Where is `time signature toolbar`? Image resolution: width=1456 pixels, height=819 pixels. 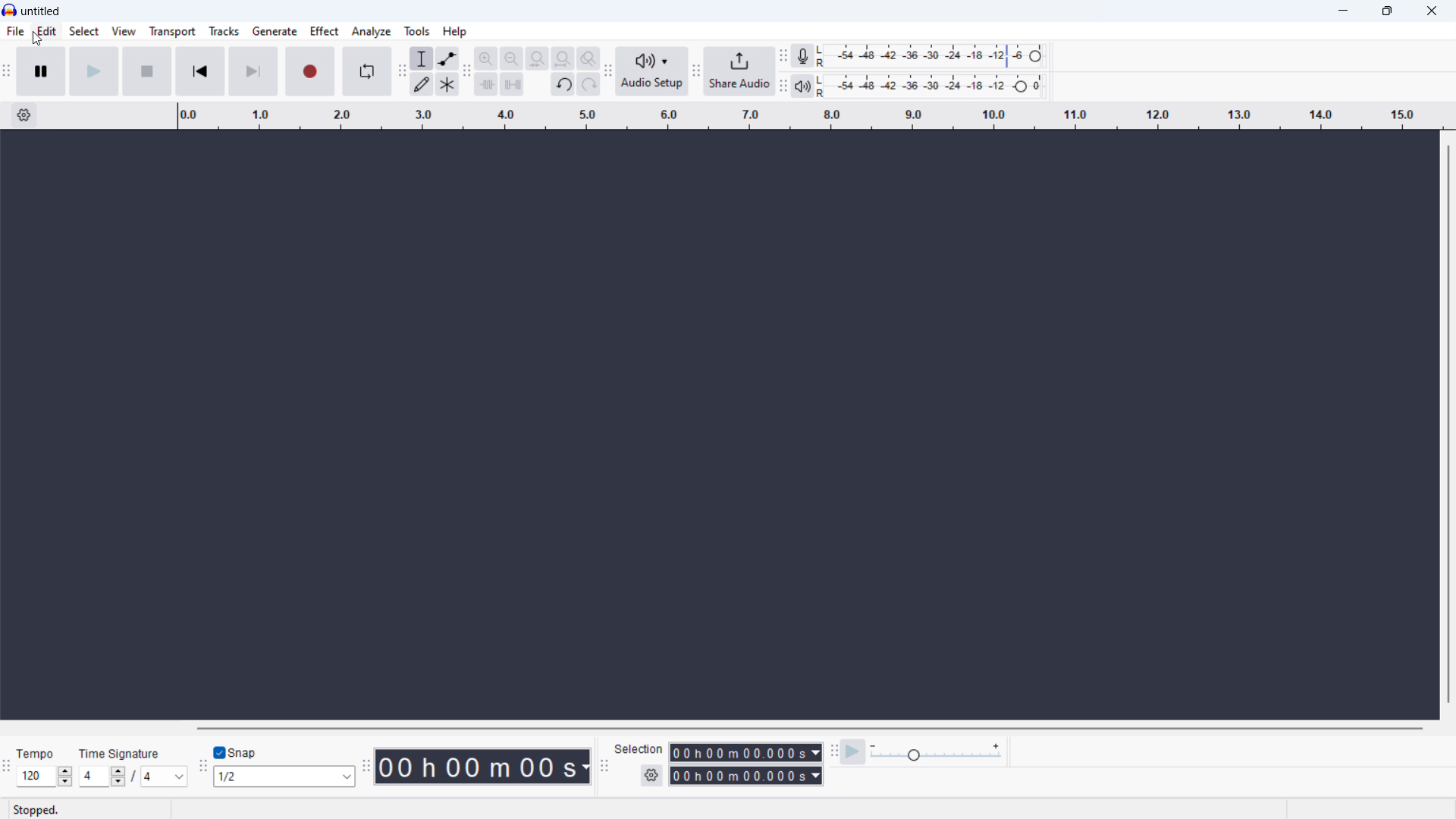 time signature toolbar is located at coordinates (8, 767).